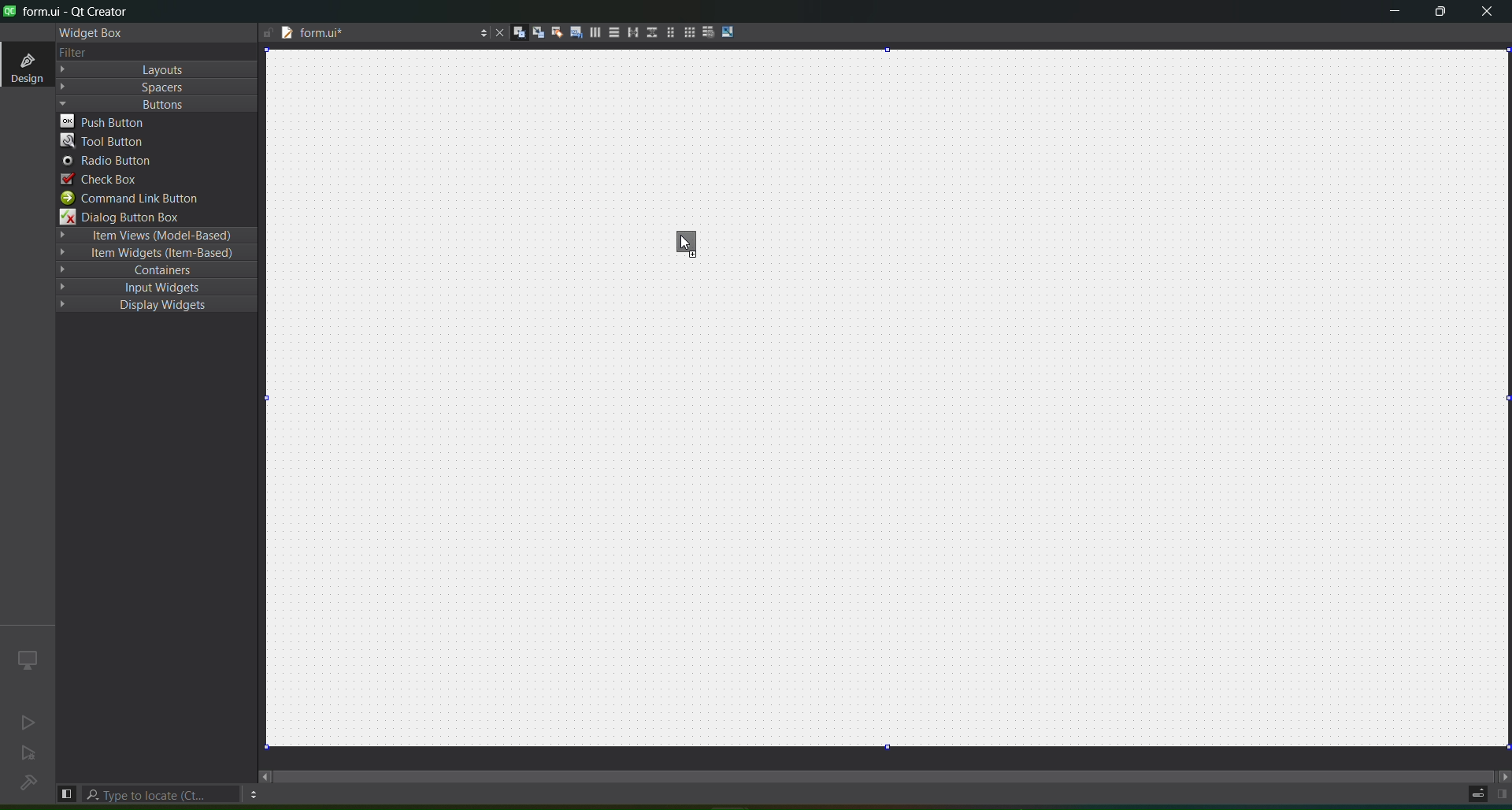  Describe the element at coordinates (158, 121) in the screenshot. I see `push button` at that location.